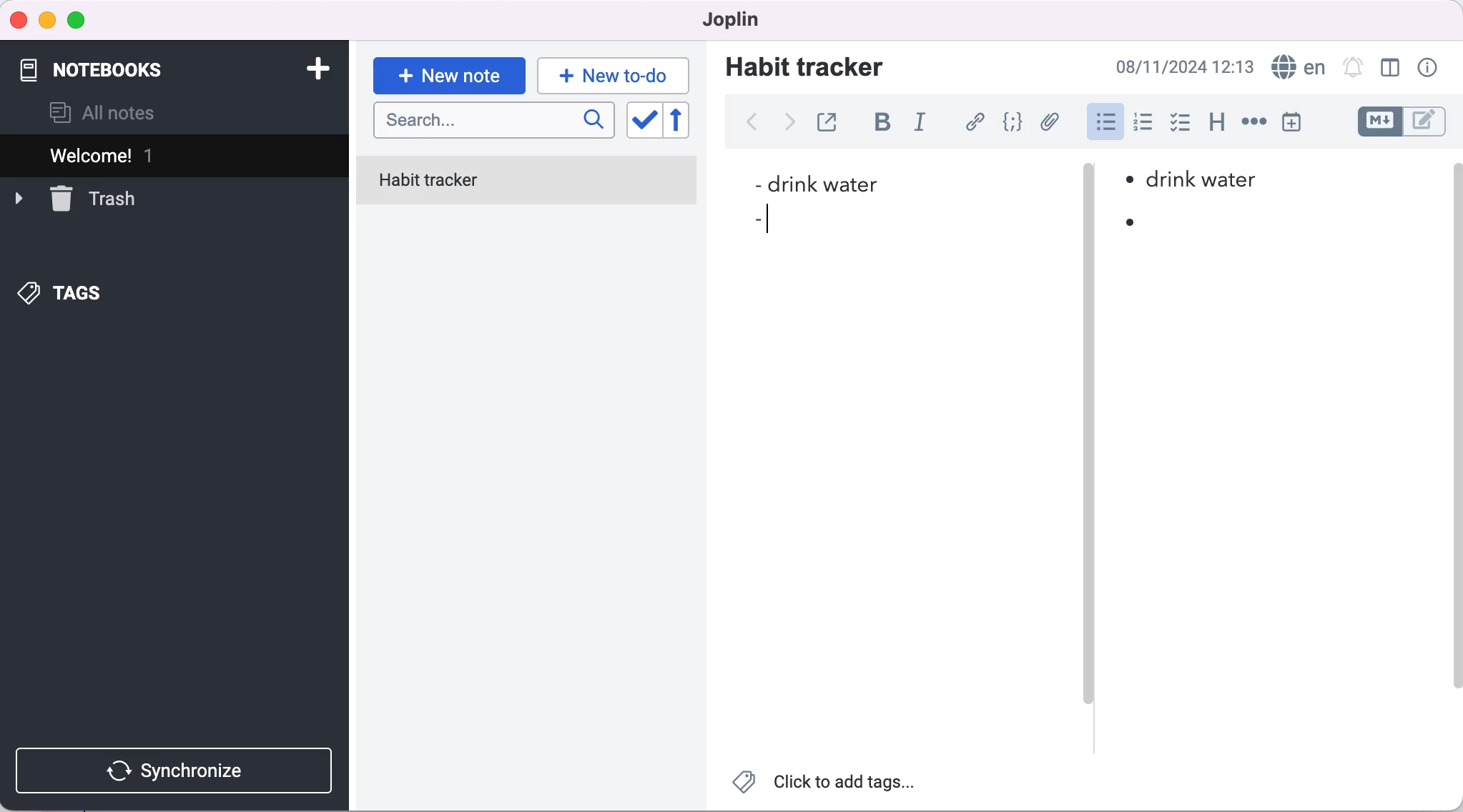  What do you see at coordinates (448, 76) in the screenshot?
I see `new note` at bounding box center [448, 76].